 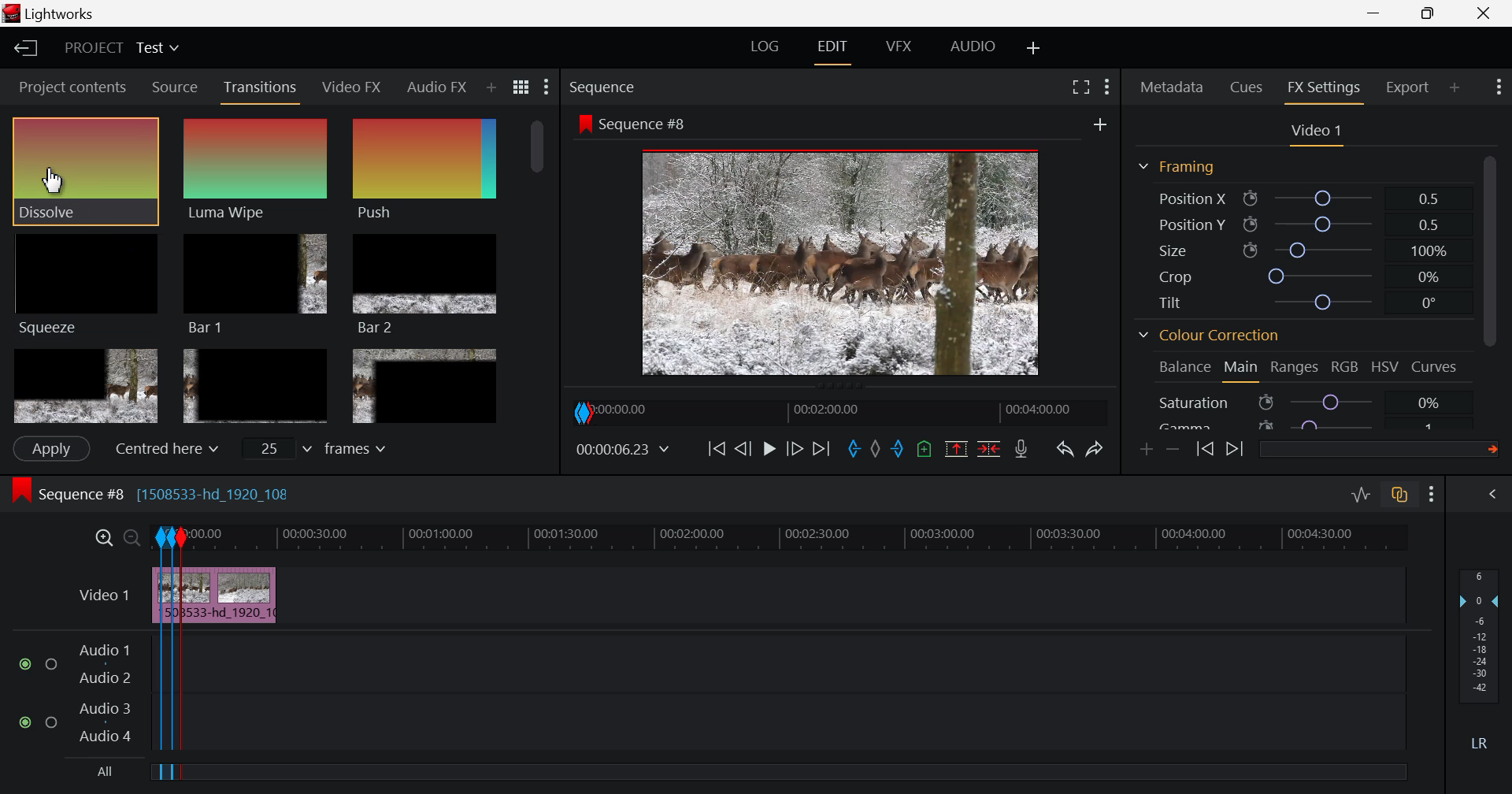 I want to click on Sequence #8 [1508533-hd_1920_10, so click(x=156, y=492).